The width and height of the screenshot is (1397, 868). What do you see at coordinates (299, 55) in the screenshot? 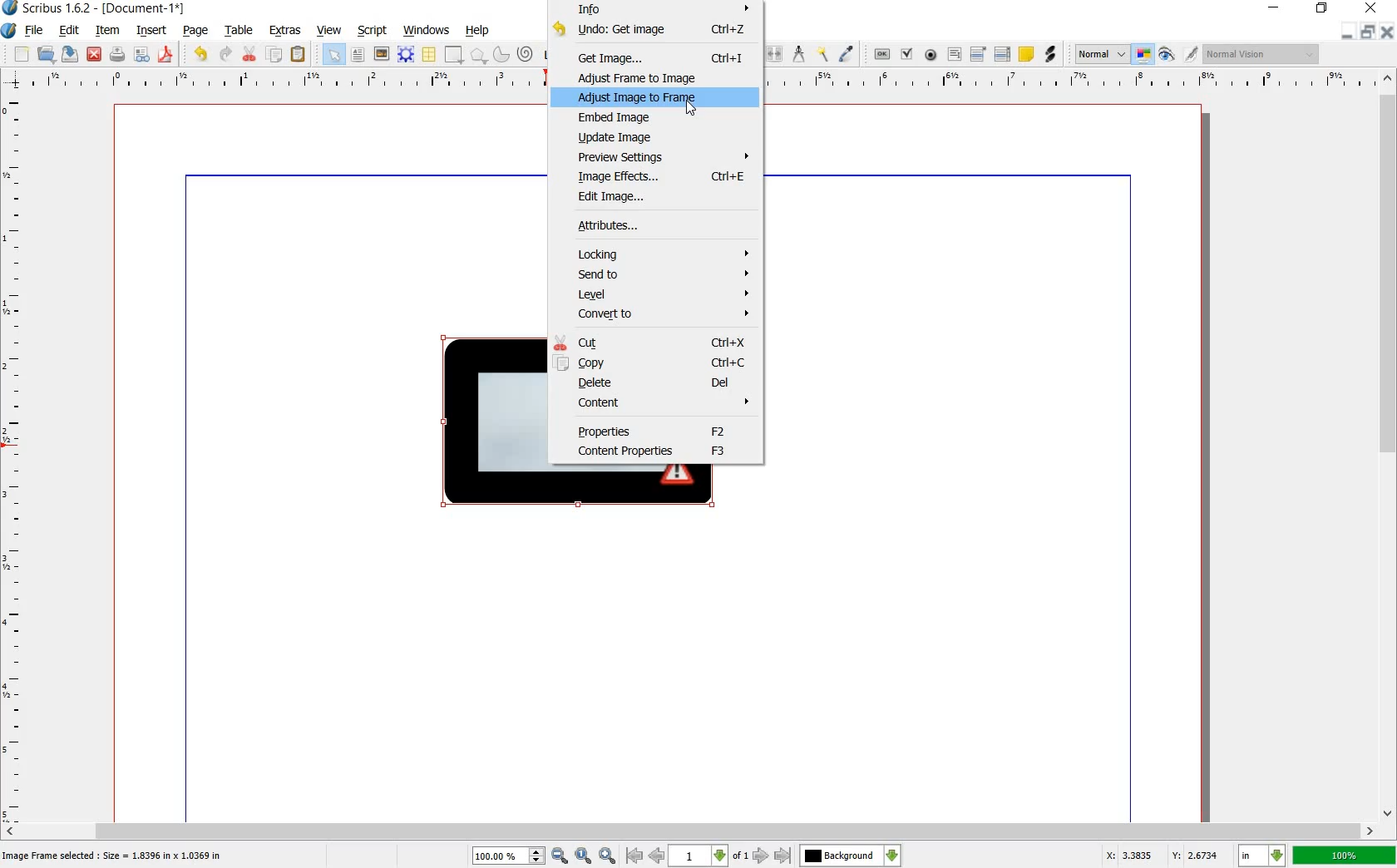
I see `paste` at bounding box center [299, 55].